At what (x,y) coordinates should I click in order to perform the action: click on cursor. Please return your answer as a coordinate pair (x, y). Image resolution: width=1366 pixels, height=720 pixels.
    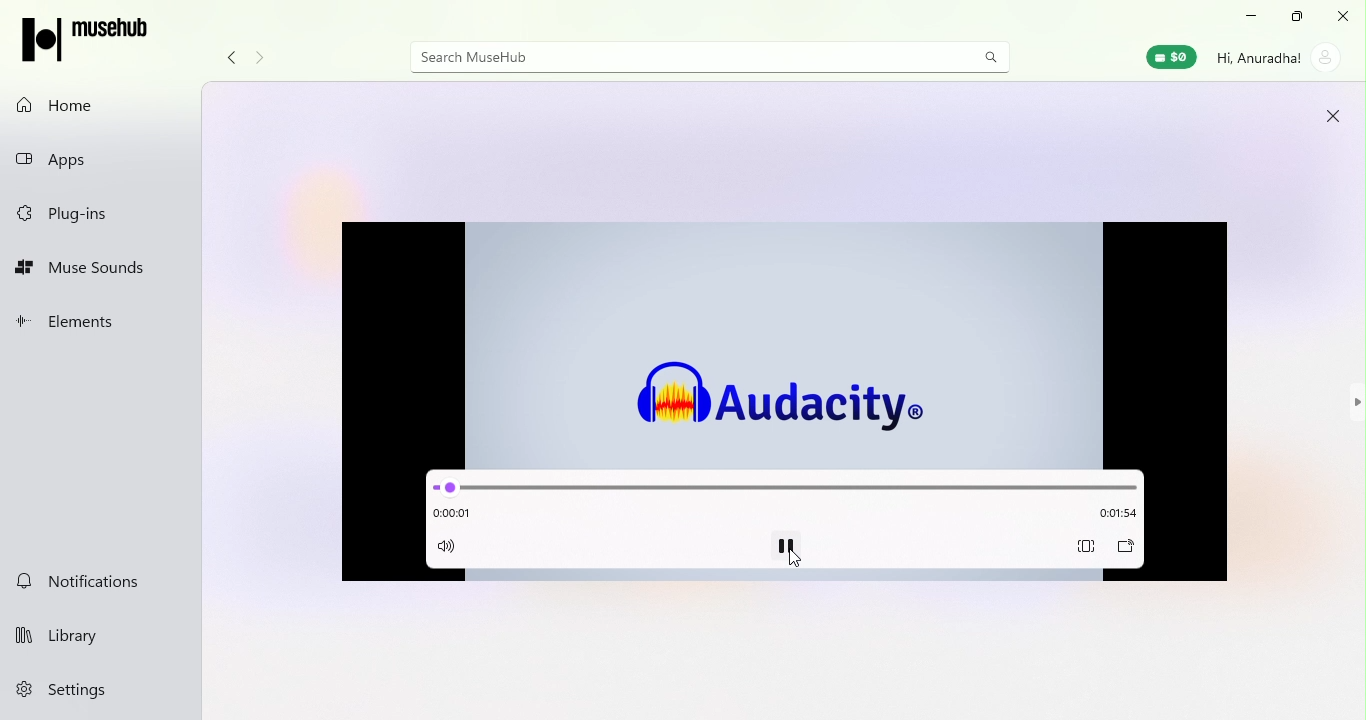
    Looking at the image, I should click on (790, 562).